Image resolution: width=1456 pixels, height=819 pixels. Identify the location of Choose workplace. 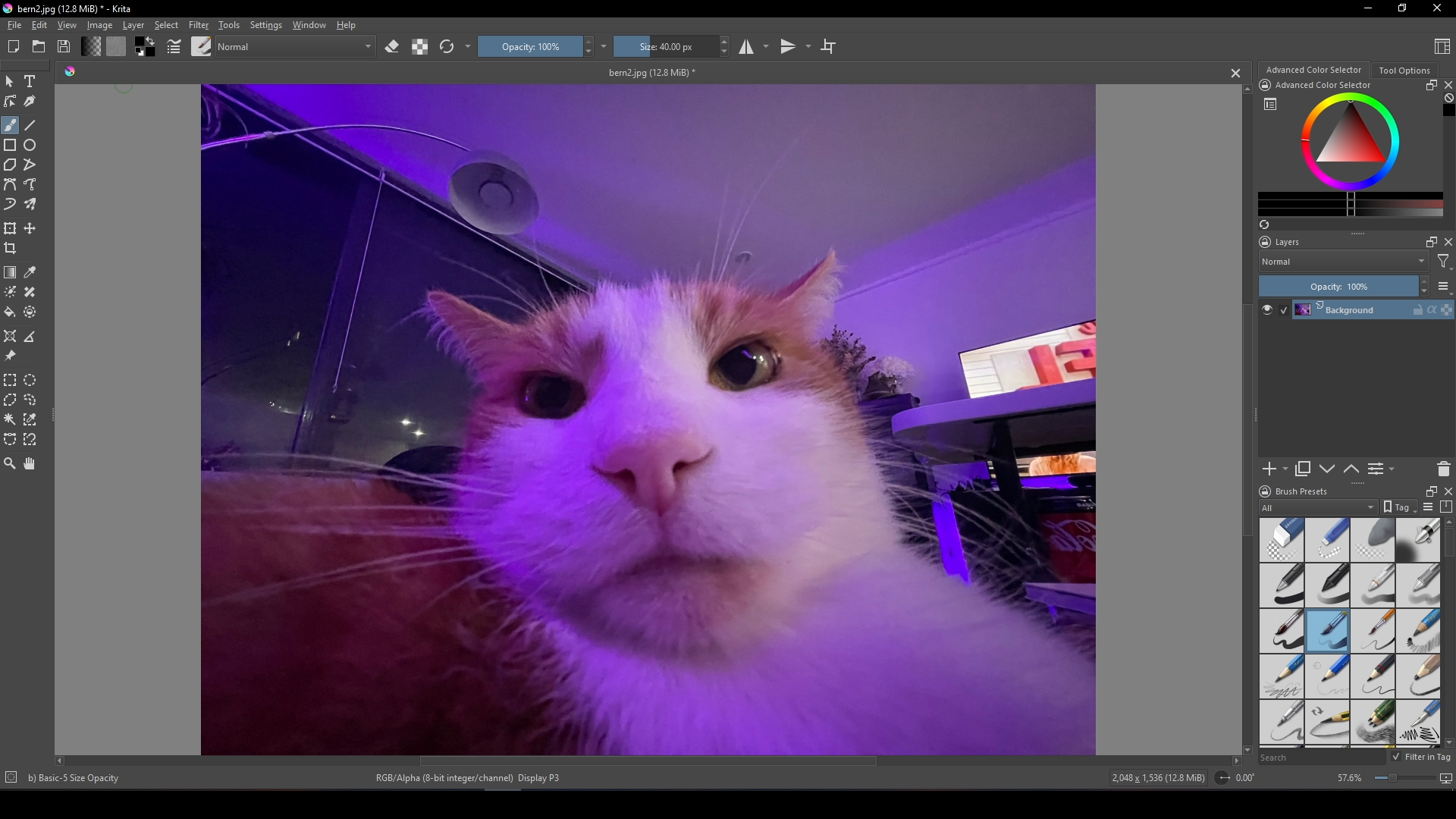
(1441, 46).